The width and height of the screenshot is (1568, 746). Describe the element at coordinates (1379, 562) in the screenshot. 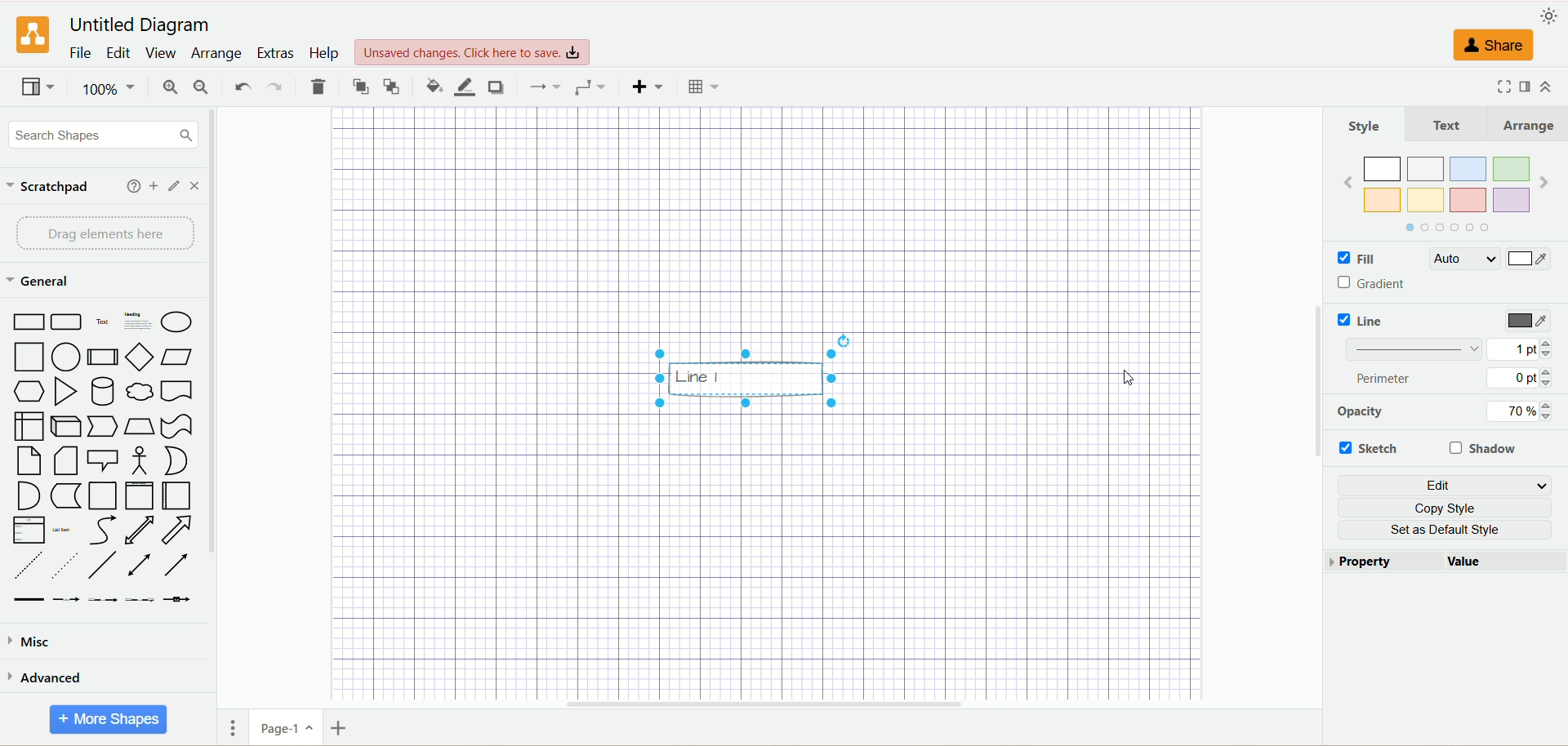

I see `property` at that location.